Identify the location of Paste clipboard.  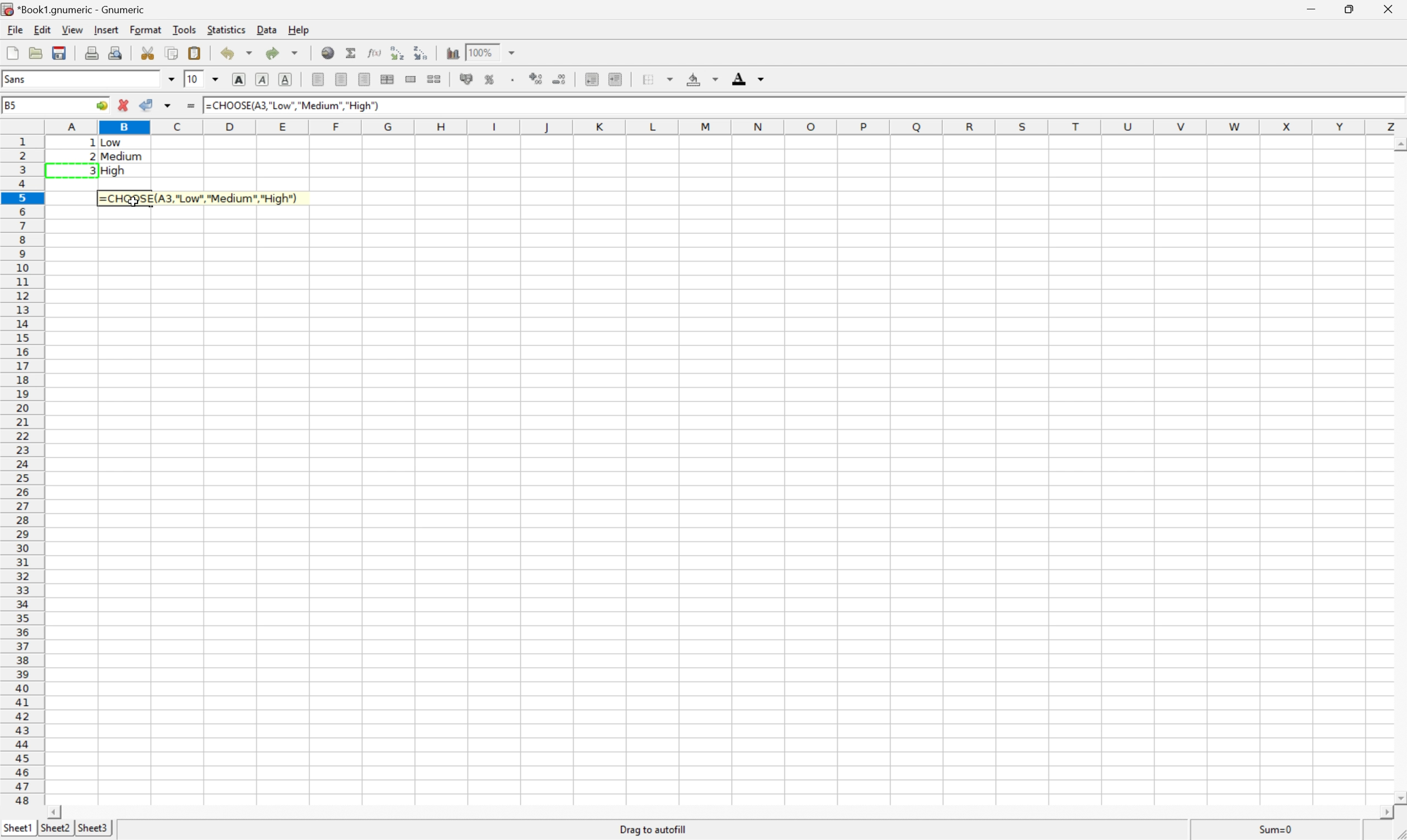
(194, 53).